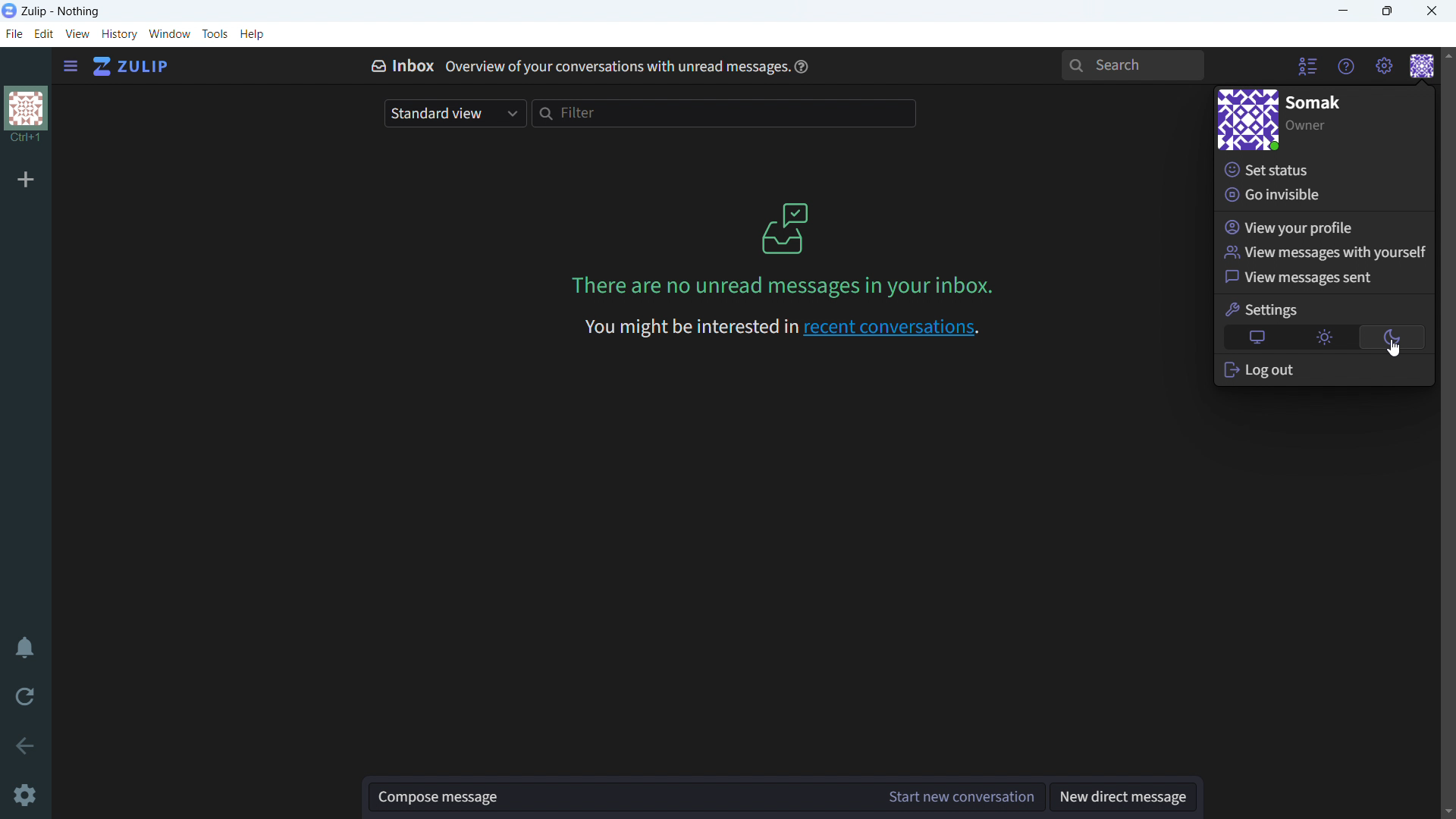  I want to click on view, so click(79, 33).